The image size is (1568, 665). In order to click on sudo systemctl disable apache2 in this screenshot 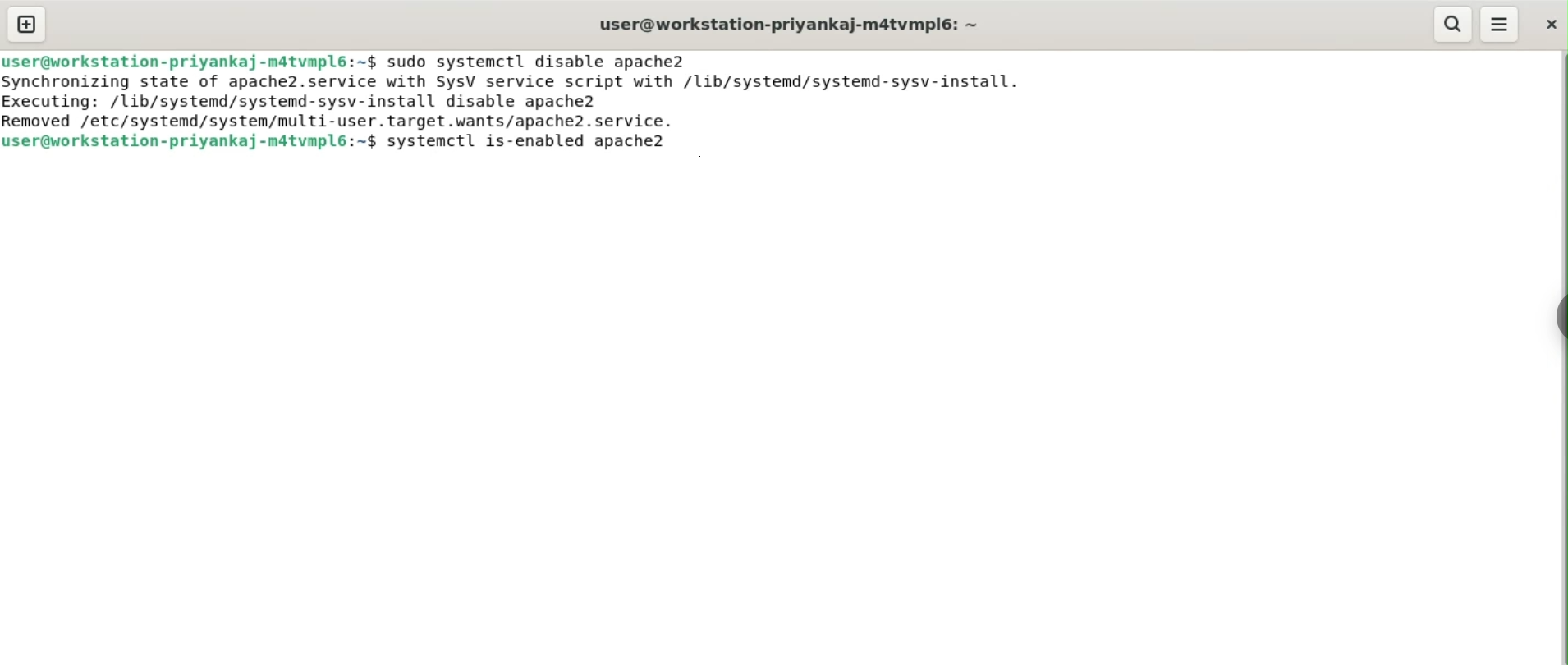, I will do `click(549, 62)`.